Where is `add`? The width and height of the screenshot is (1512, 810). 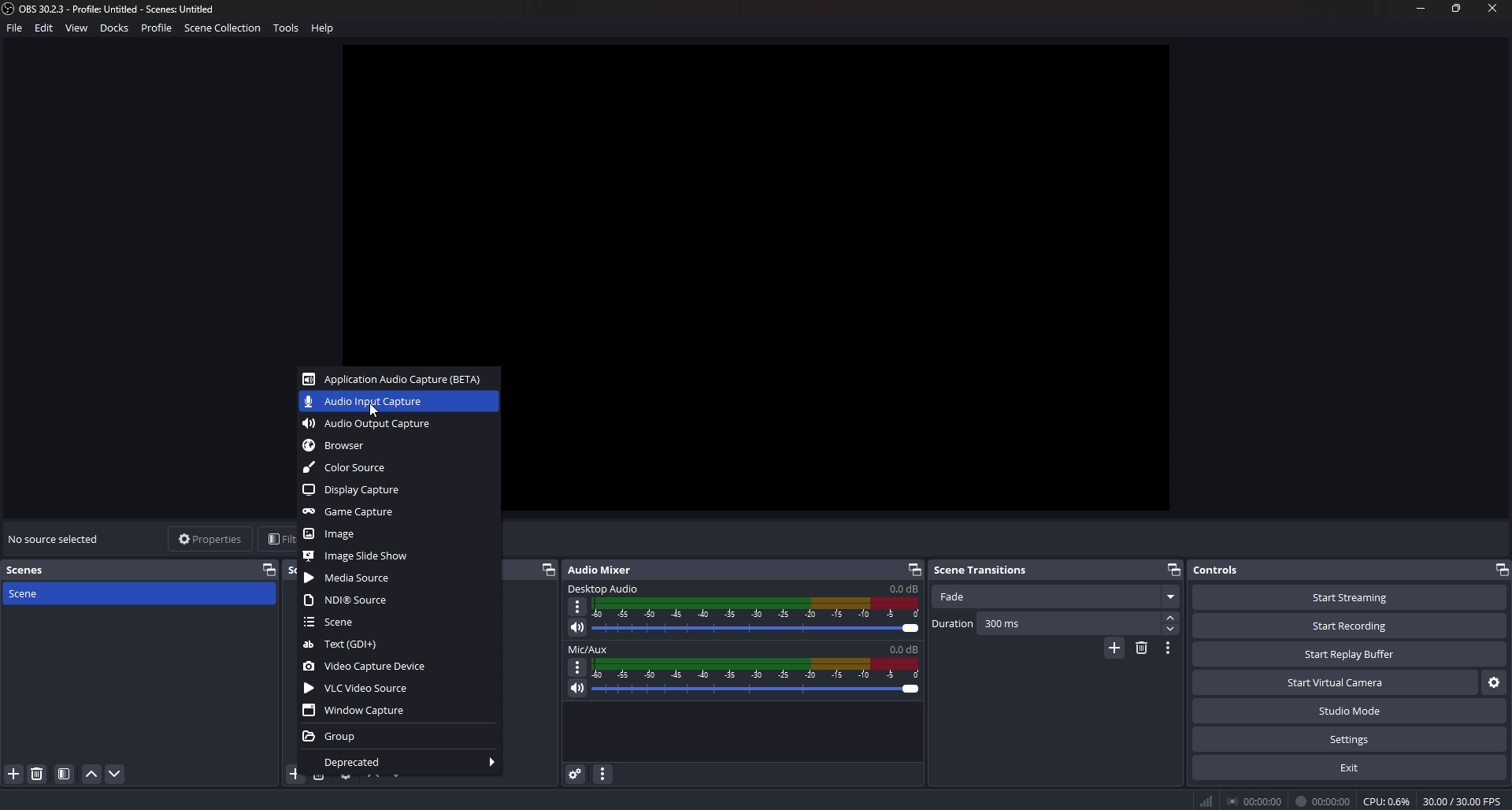
add is located at coordinates (14, 775).